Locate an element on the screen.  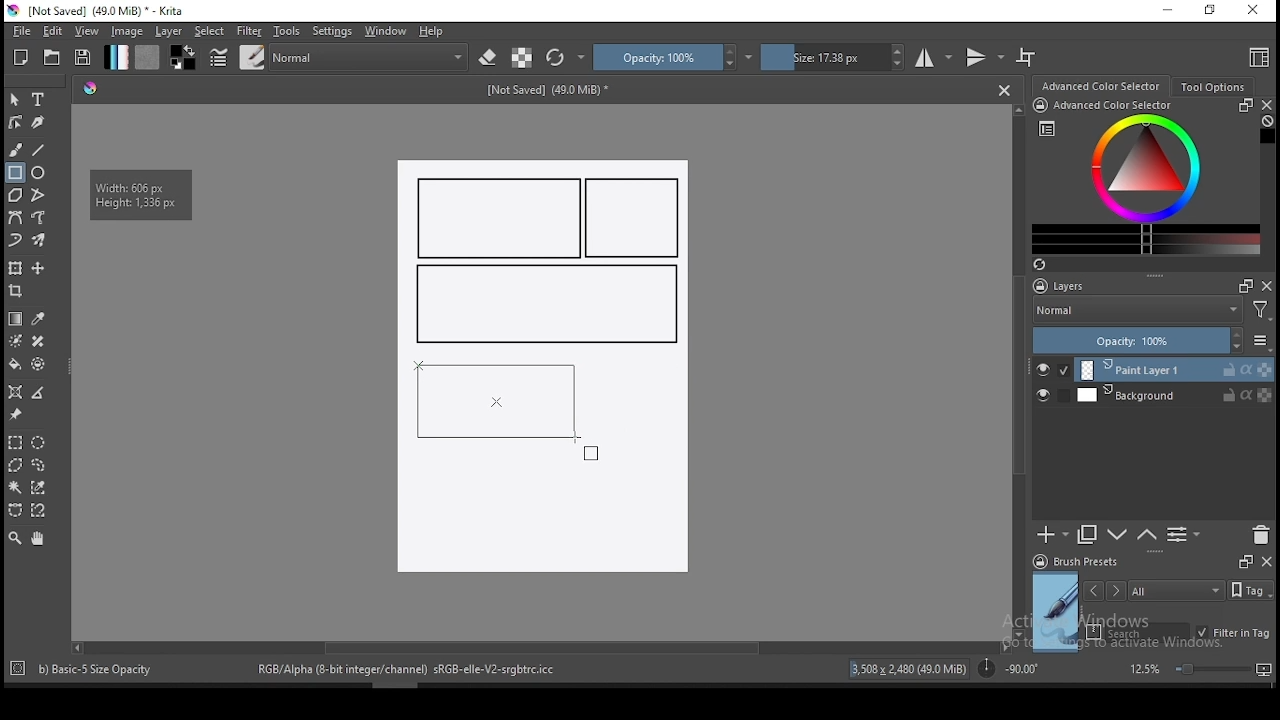
blending mode is located at coordinates (370, 57).